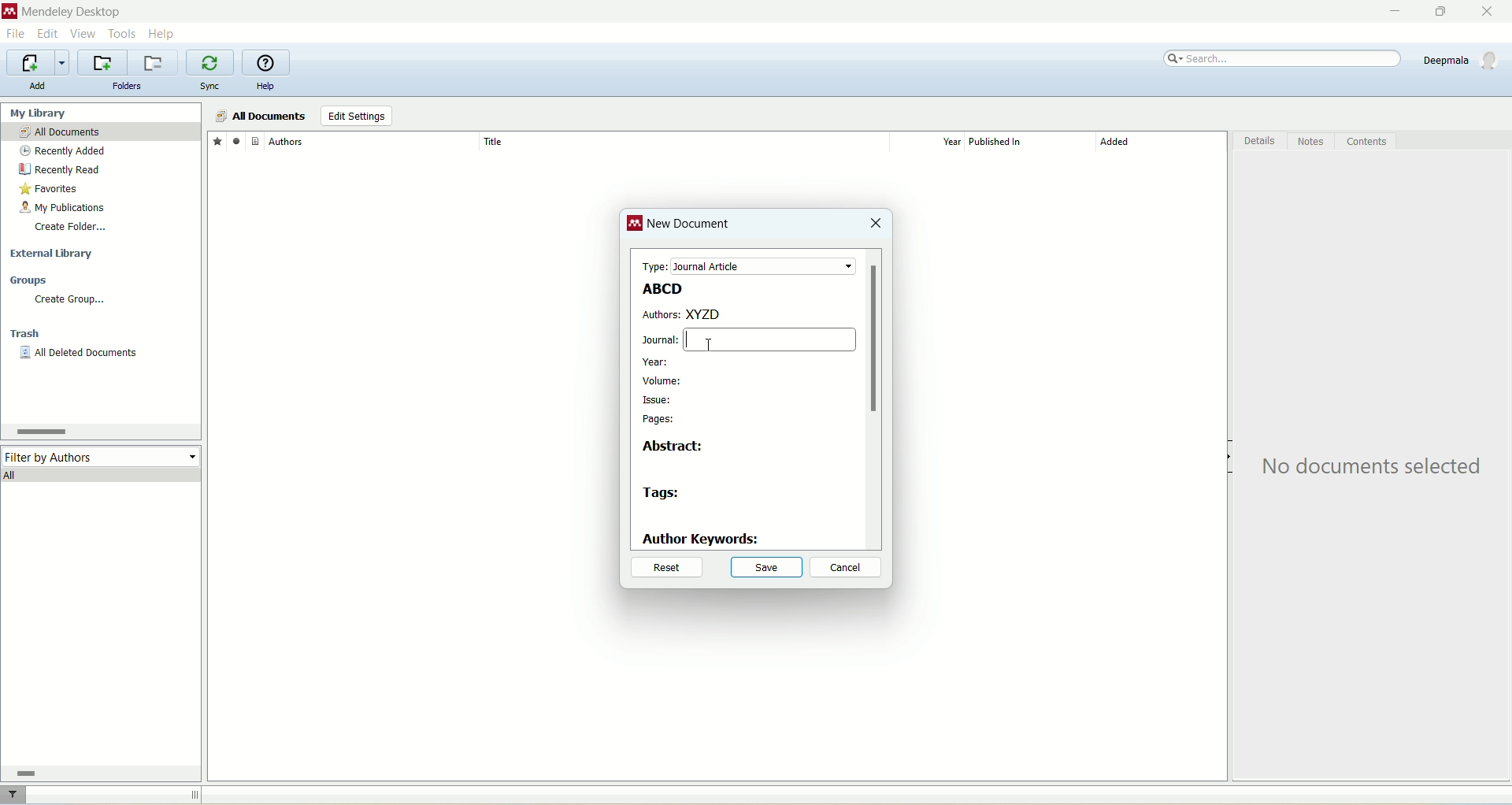  What do you see at coordinates (46, 34) in the screenshot?
I see `edit` at bounding box center [46, 34].